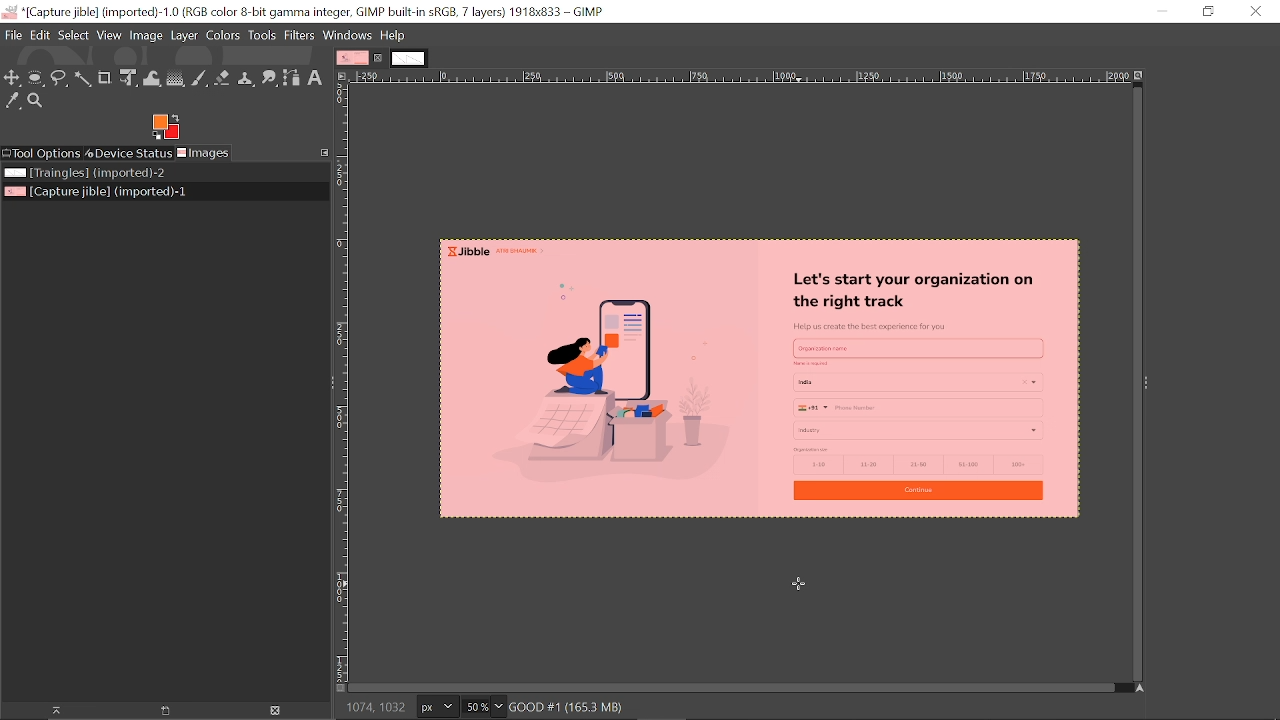  I want to click on Toggle quick mask on/off, so click(339, 690).